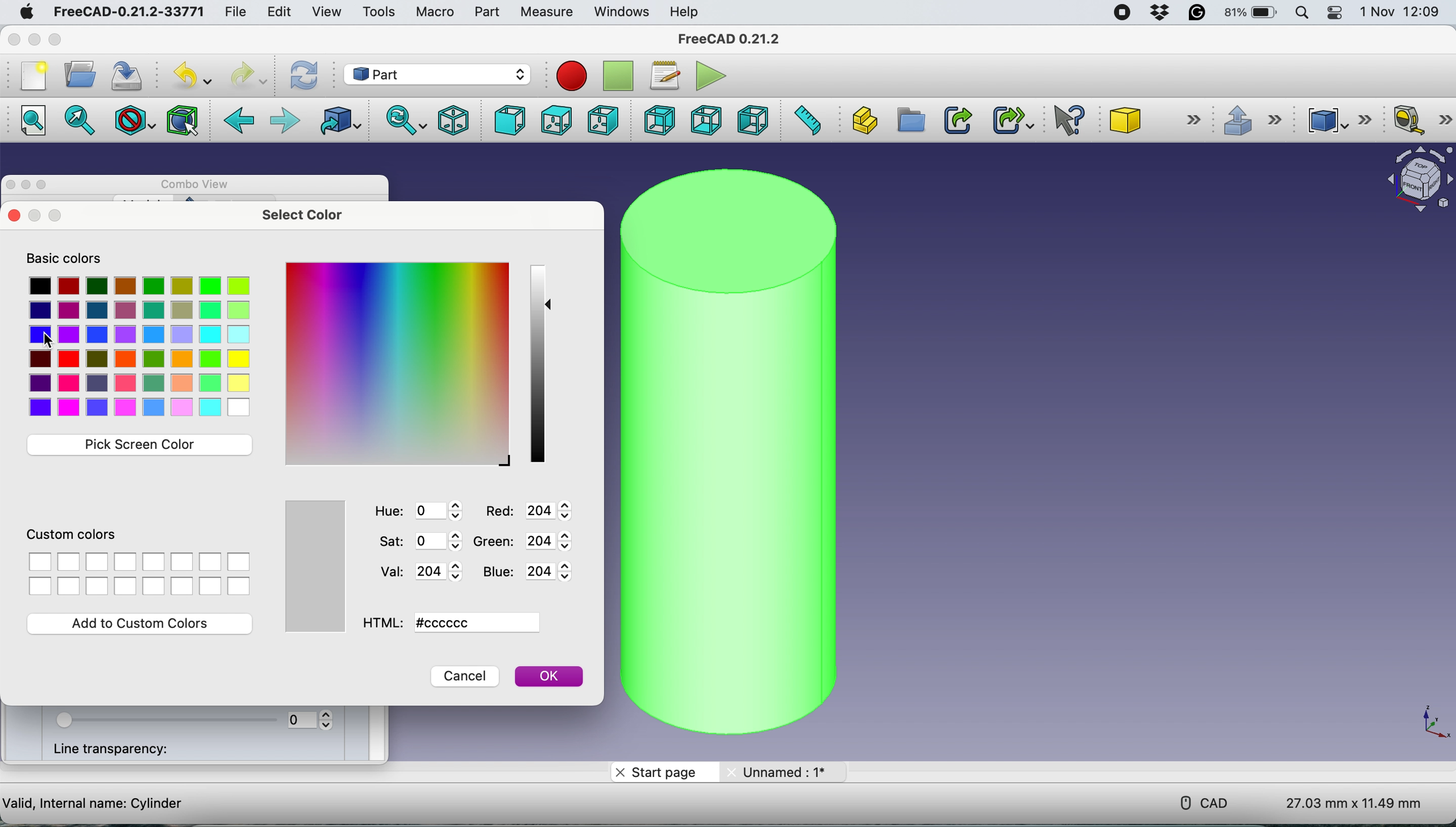 This screenshot has width=1456, height=827. Describe the element at coordinates (60, 40) in the screenshot. I see `maximise` at that location.